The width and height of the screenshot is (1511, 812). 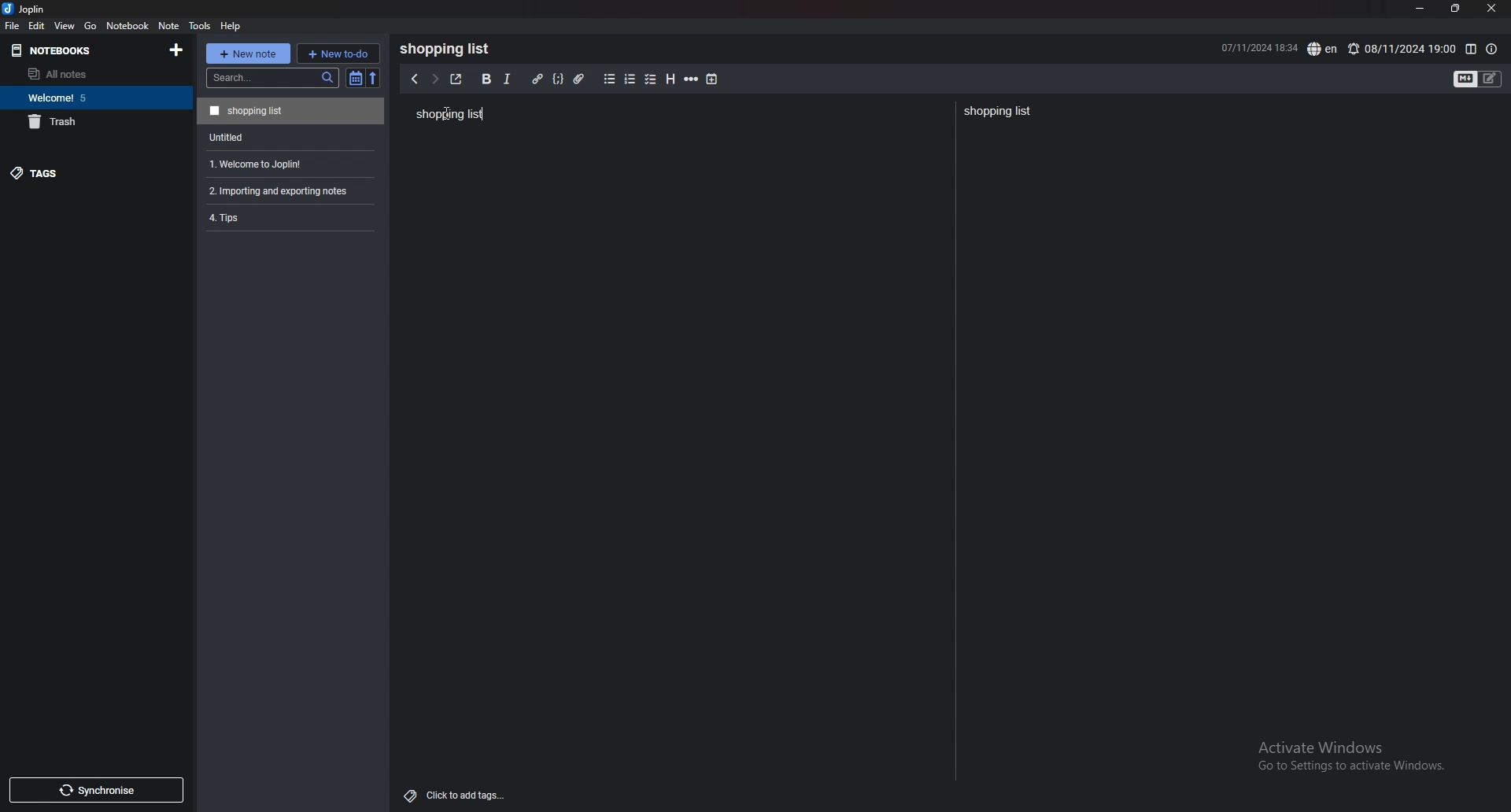 I want to click on 2. Importing and exporting notes., so click(x=289, y=189).